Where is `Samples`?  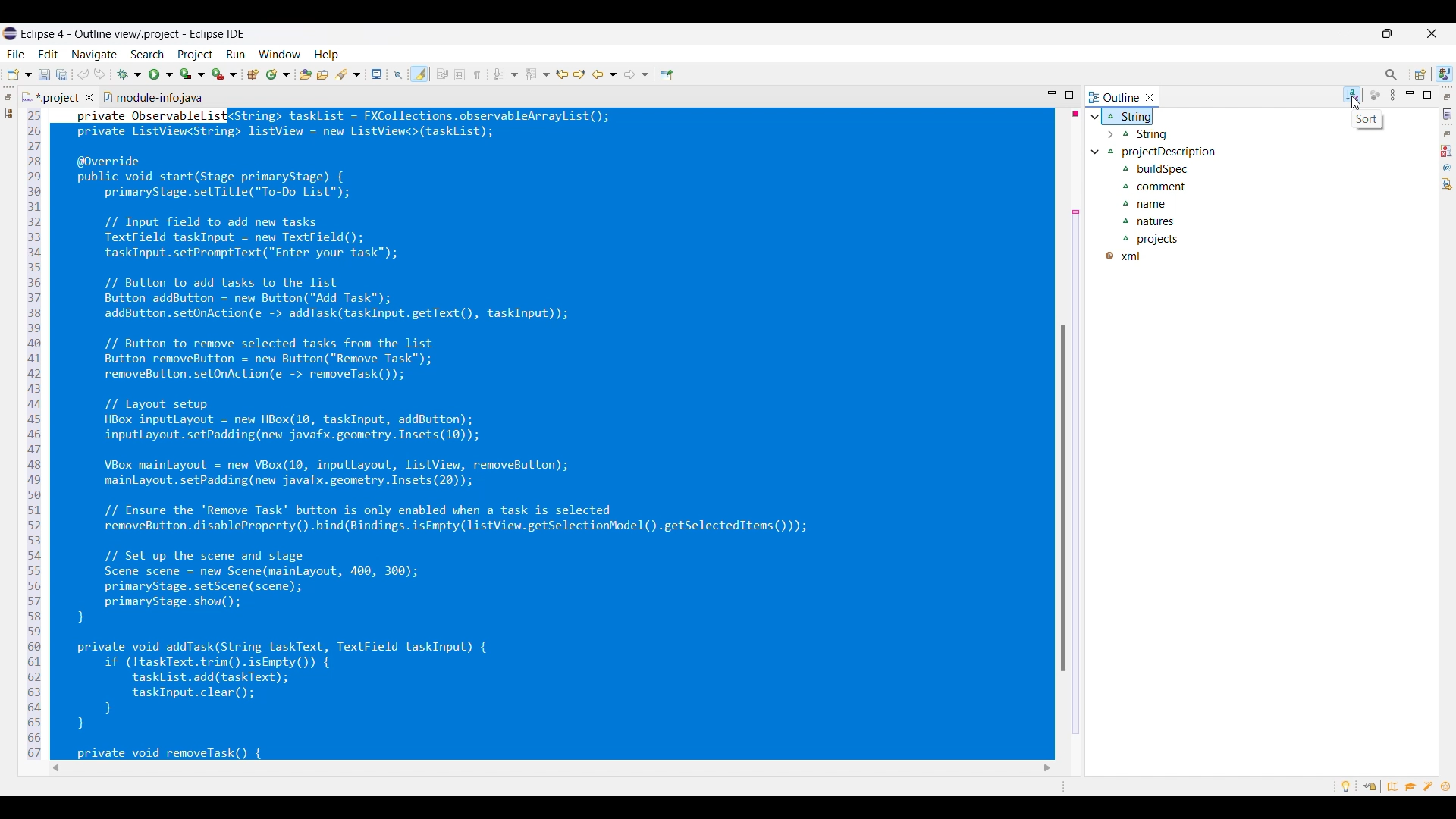
Samples is located at coordinates (1429, 786).